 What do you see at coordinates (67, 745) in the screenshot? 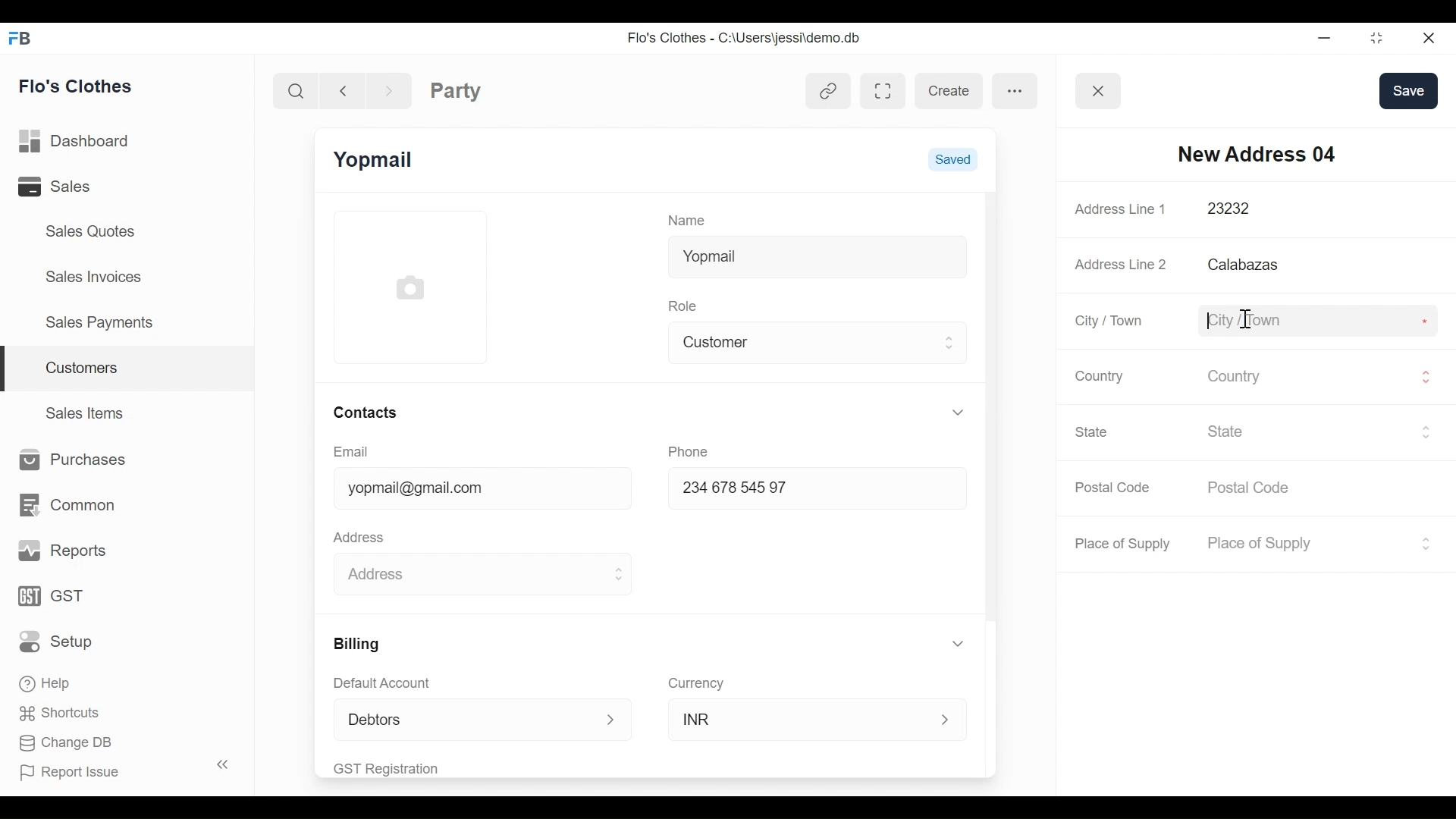
I see `Change DB` at bounding box center [67, 745].